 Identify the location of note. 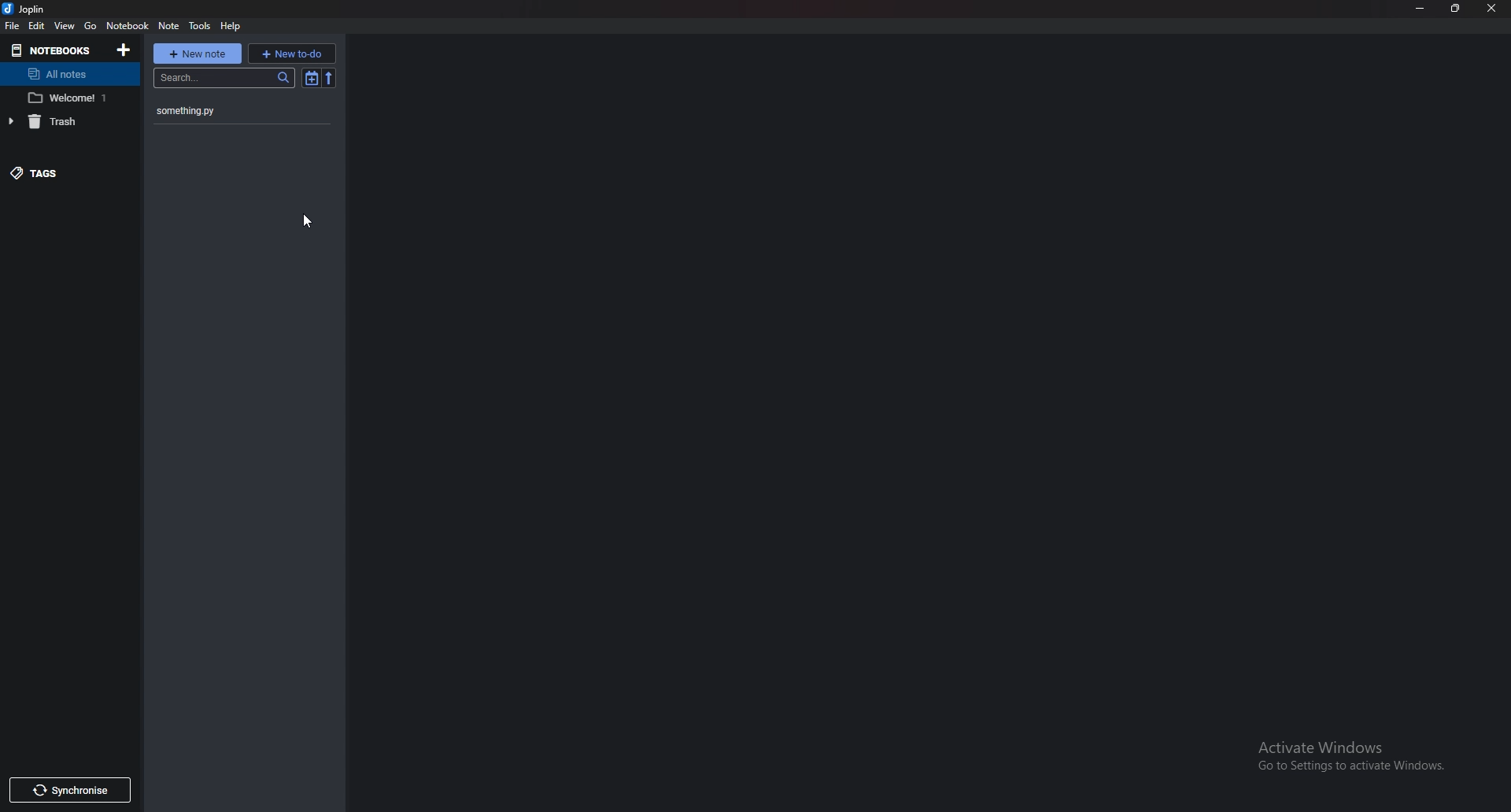
(231, 111).